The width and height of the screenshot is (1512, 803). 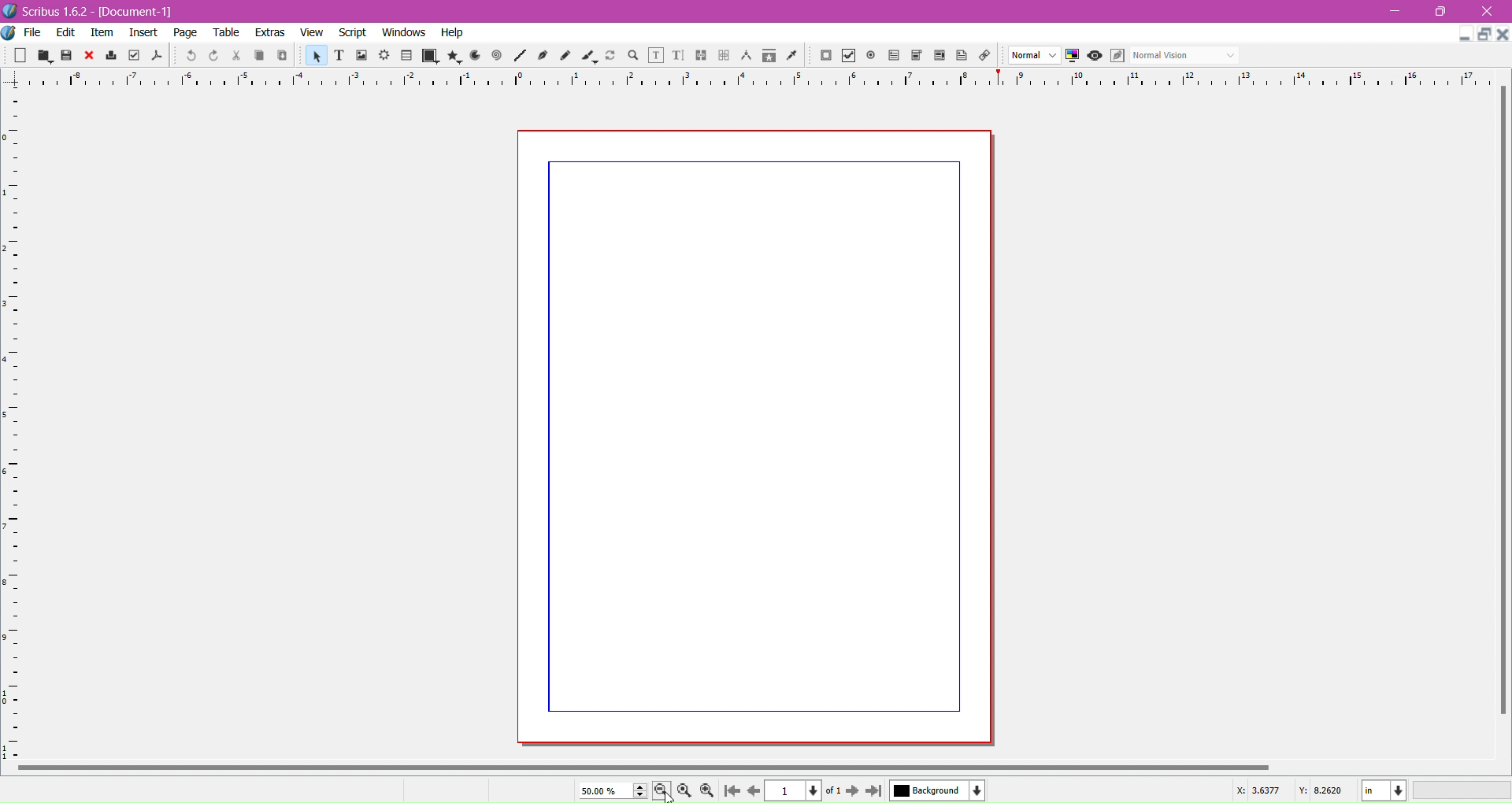 What do you see at coordinates (9, 10) in the screenshot?
I see `Application Logo` at bounding box center [9, 10].